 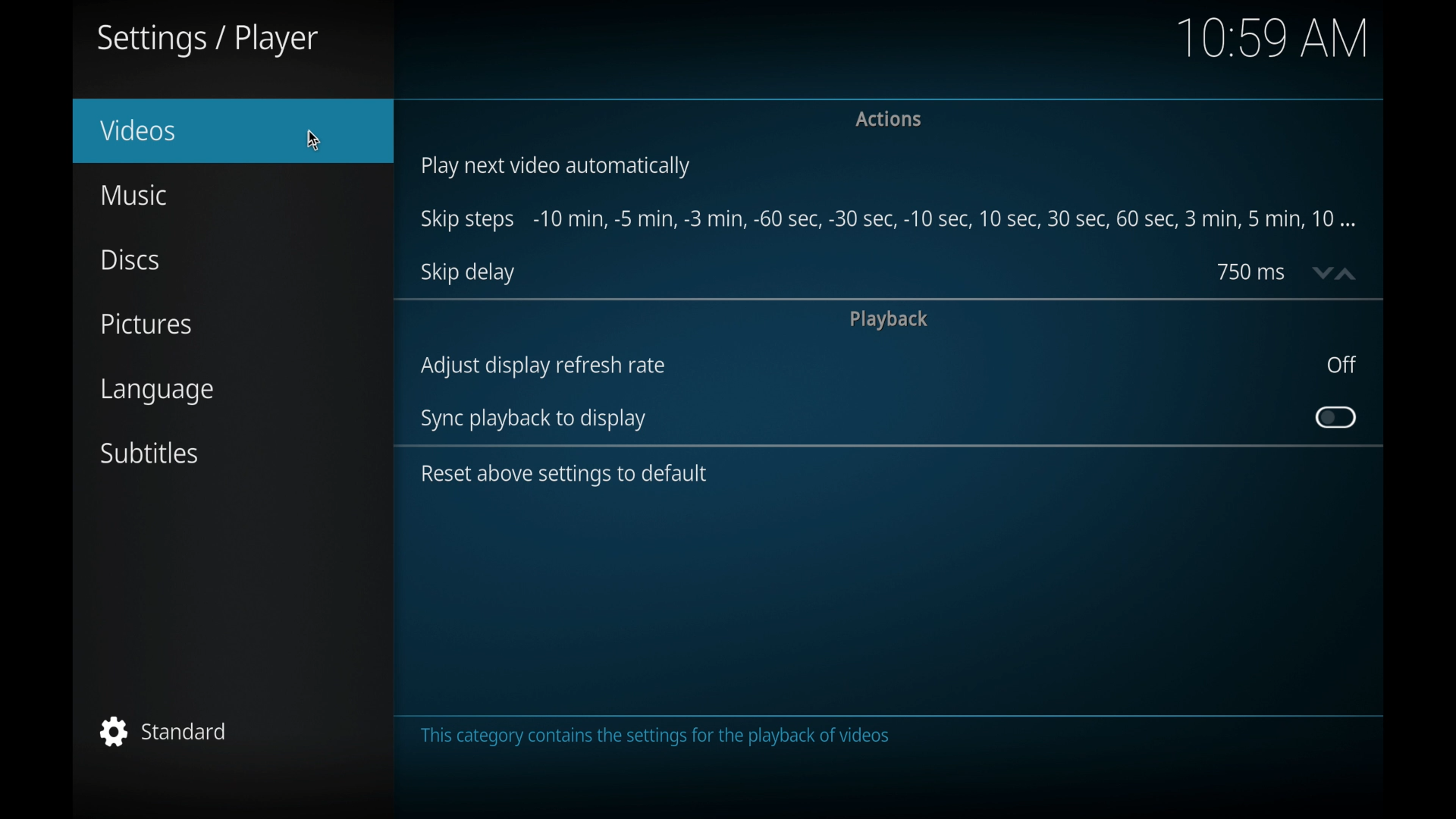 What do you see at coordinates (469, 273) in the screenshot?
I see `skip delay` at bounding box center [469, 273].